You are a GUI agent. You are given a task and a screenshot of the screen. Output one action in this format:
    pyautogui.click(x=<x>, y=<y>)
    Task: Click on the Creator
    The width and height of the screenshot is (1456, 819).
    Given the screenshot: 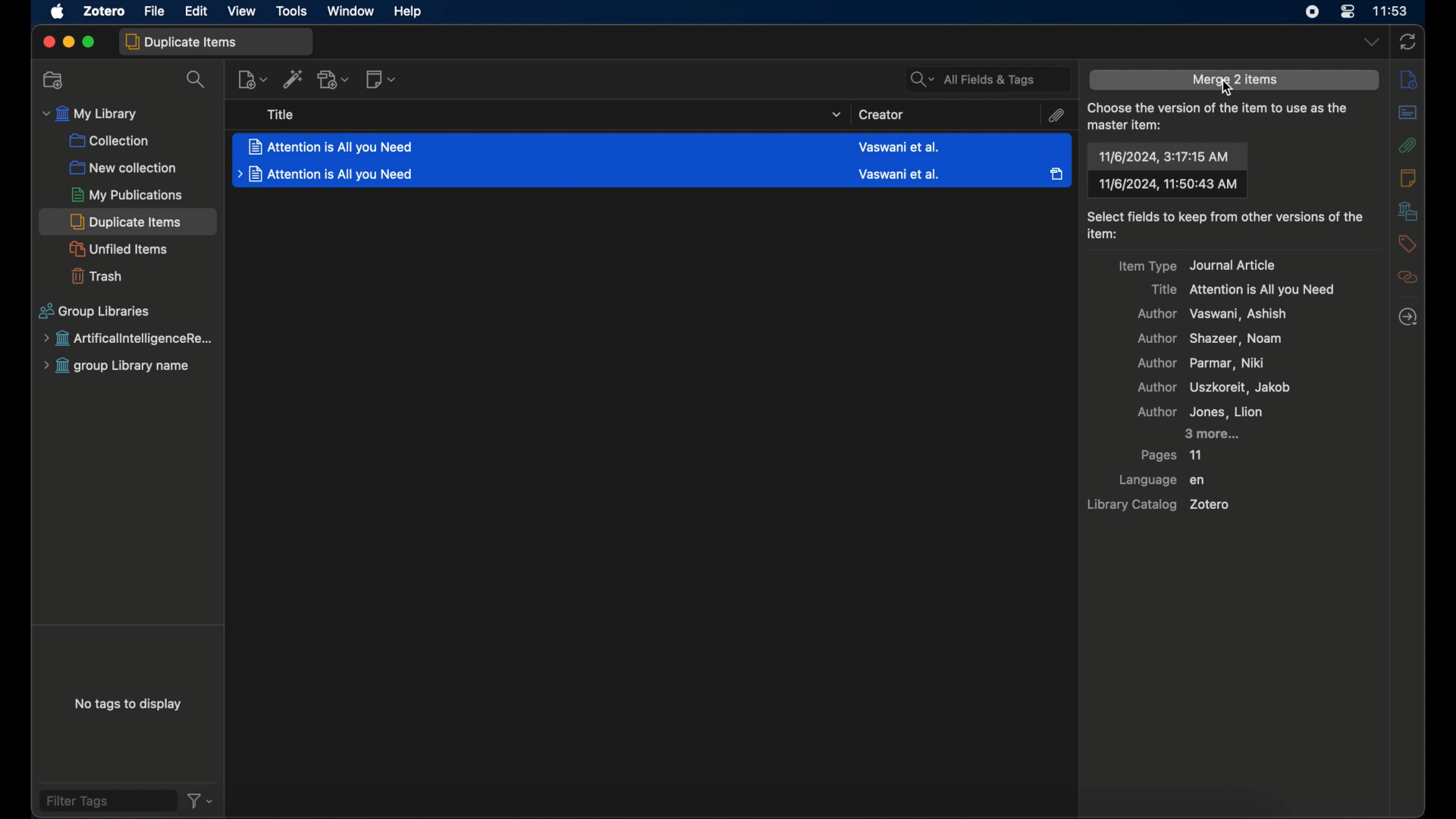 What is the action you would take?
    pyautogui.click(x=901, y=176)
    